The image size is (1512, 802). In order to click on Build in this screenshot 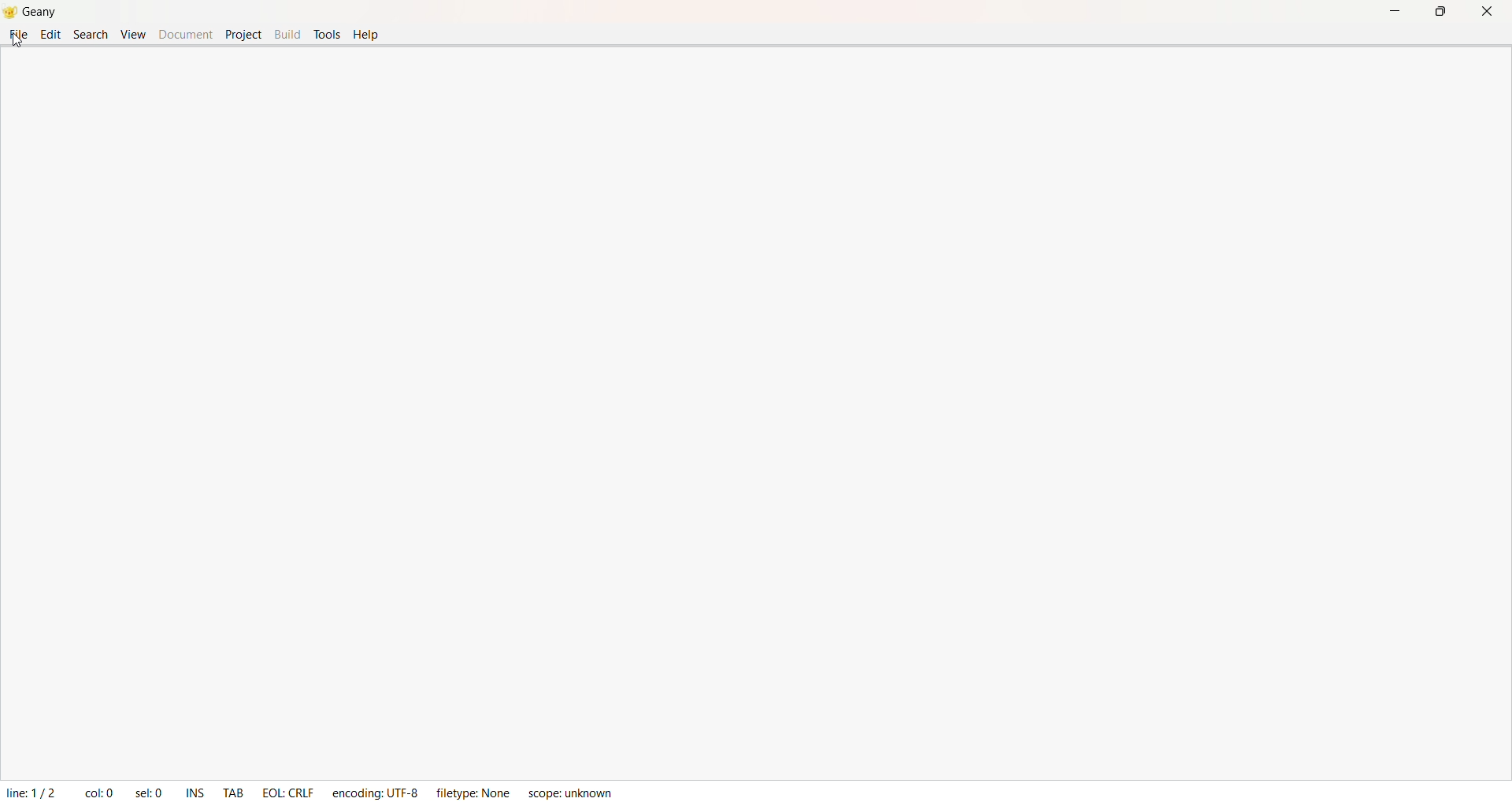, I will do `click(286, 34)`.